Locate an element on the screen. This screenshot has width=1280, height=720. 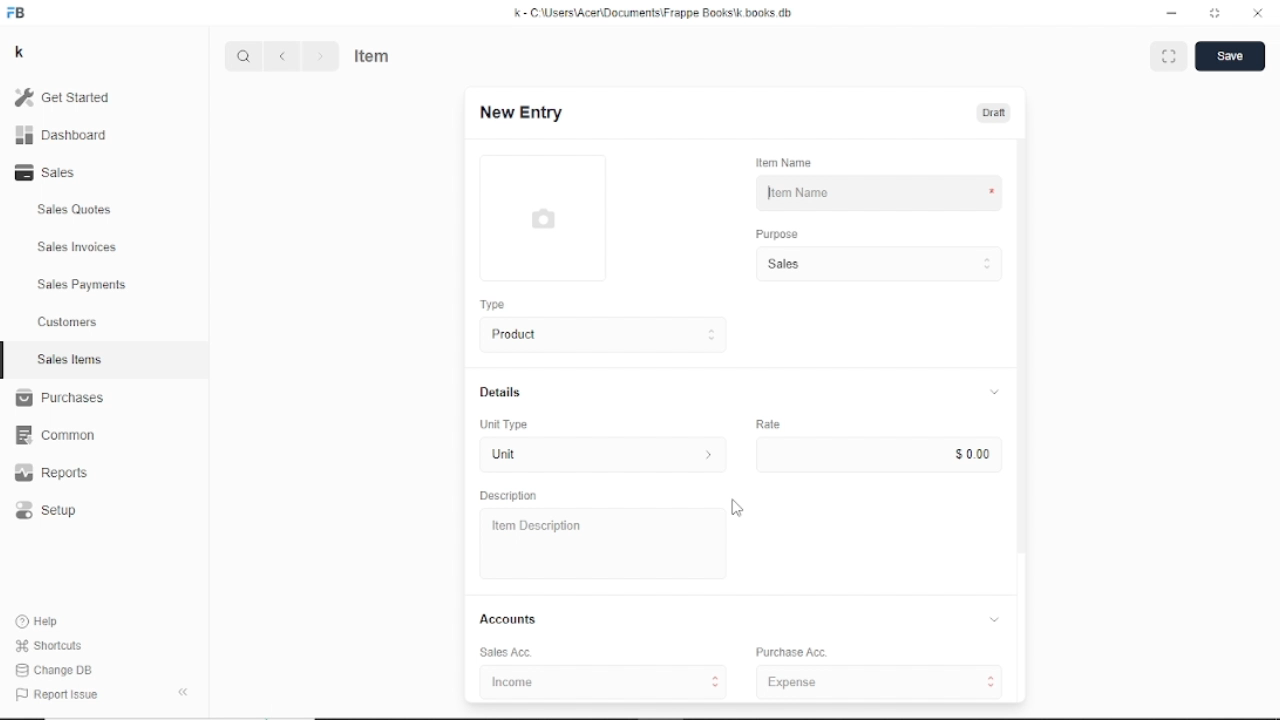
Vertical scrollbar is located at coordinates (1023, 345).